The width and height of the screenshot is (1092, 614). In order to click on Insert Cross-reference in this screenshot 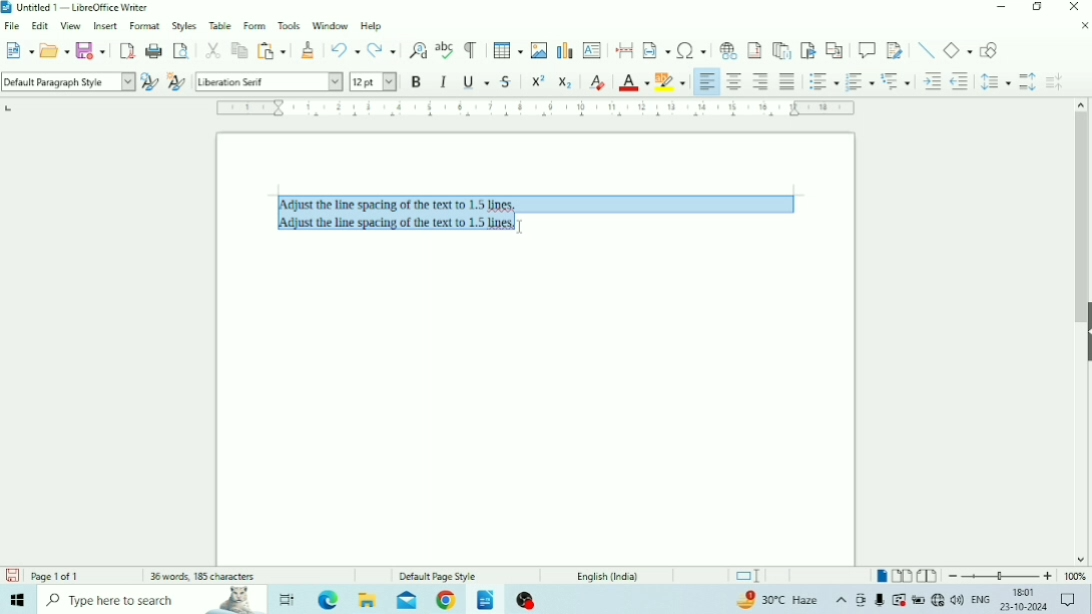, I will do `click(834, 49)`.